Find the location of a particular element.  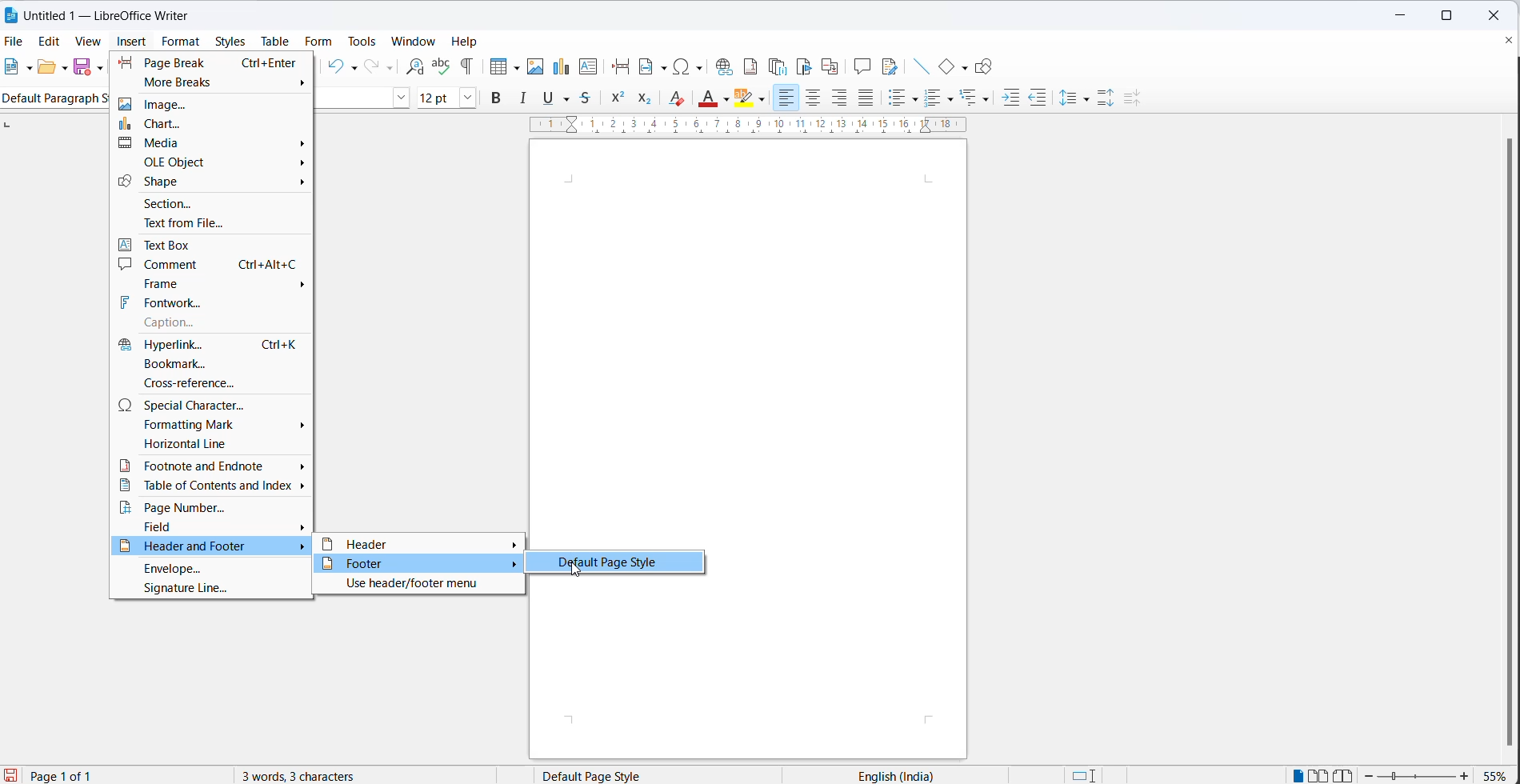

LibreOffice Icon is located at coordinates (10, 14).